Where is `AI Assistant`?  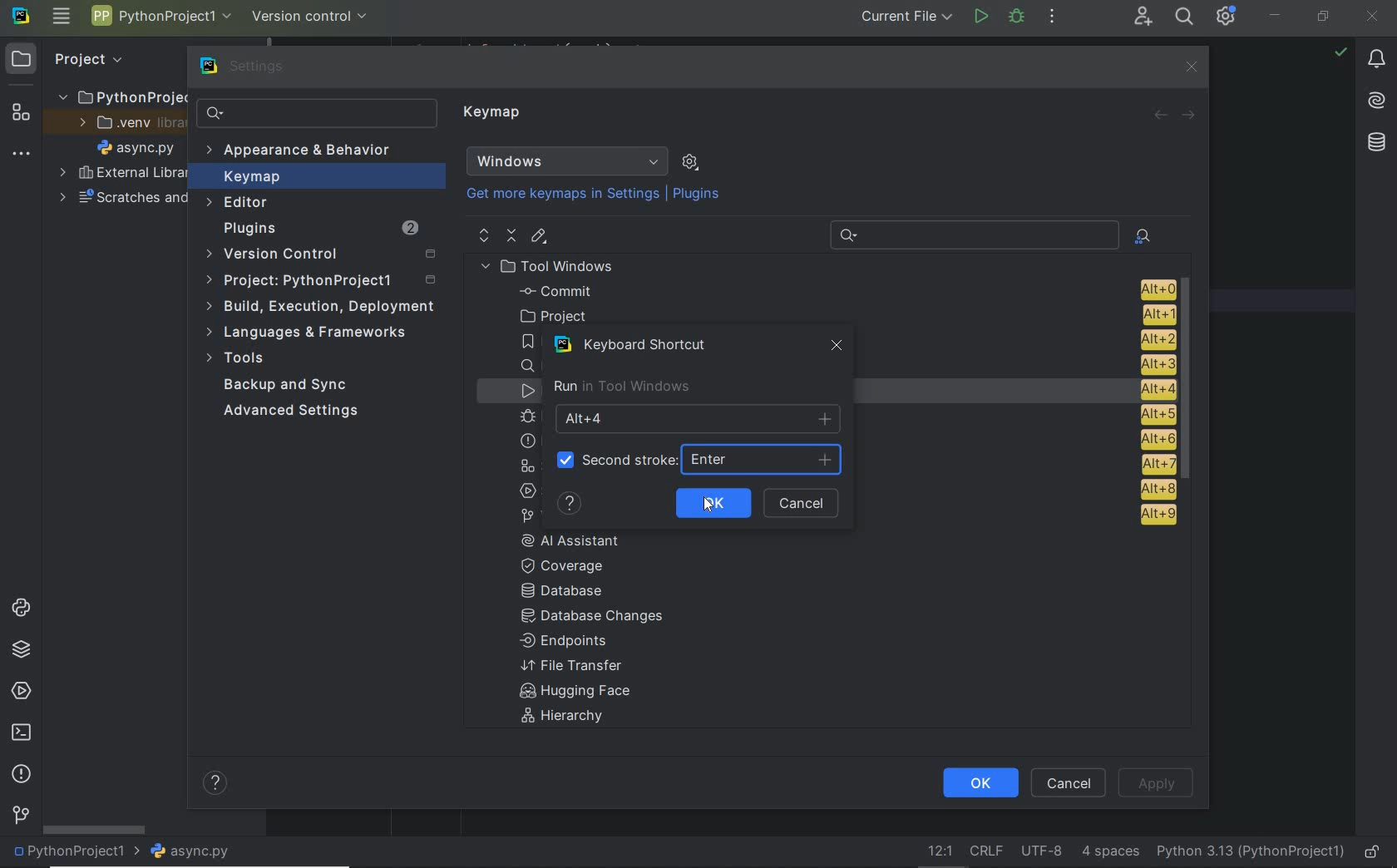
AI Assistant is located at coordinates (582, 540).